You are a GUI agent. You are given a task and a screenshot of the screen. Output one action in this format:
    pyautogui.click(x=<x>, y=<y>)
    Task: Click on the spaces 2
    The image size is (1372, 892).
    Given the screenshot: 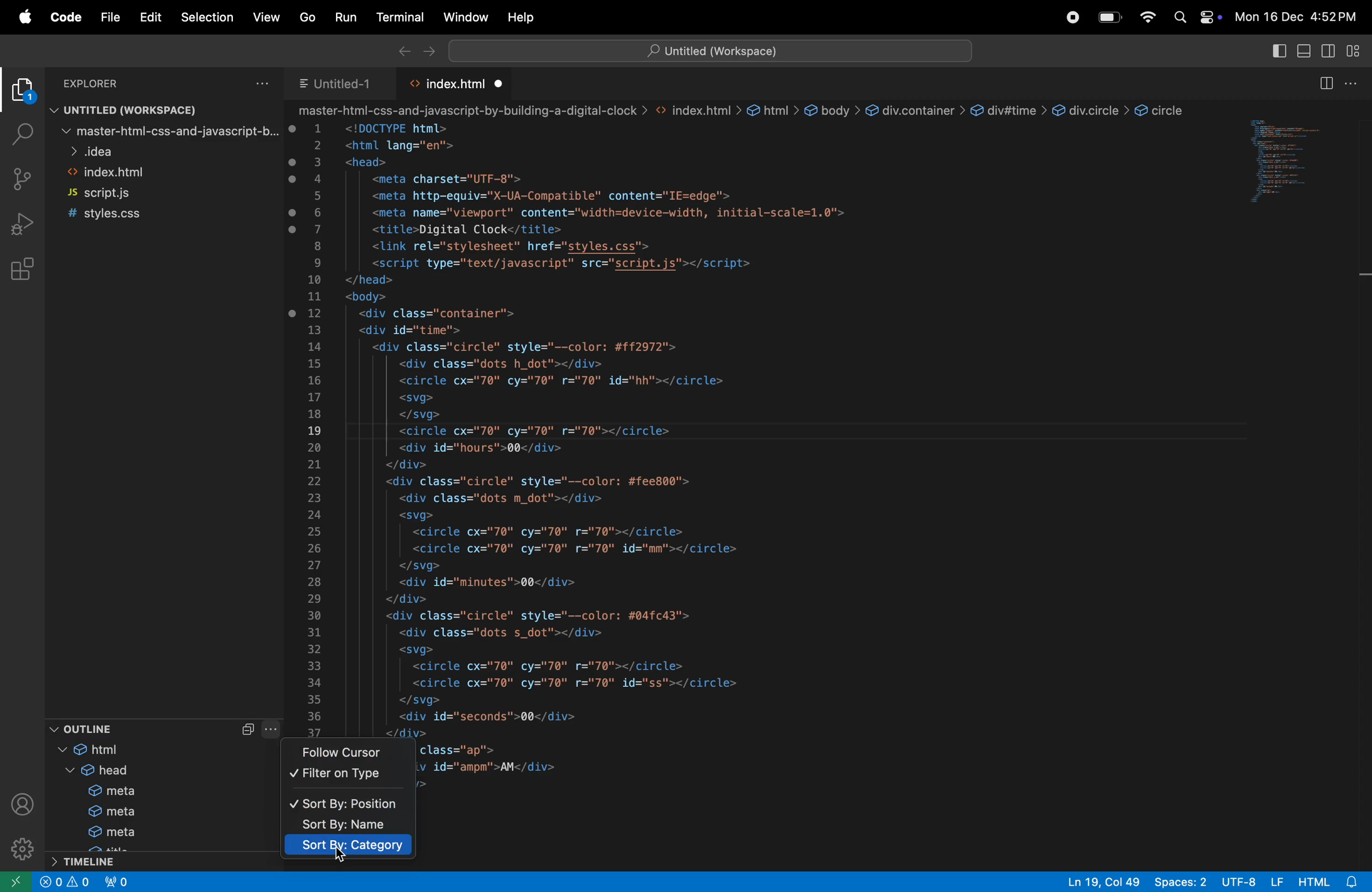 What is the action you would take?
    pyautogui.click(x=1180, y=882)
    